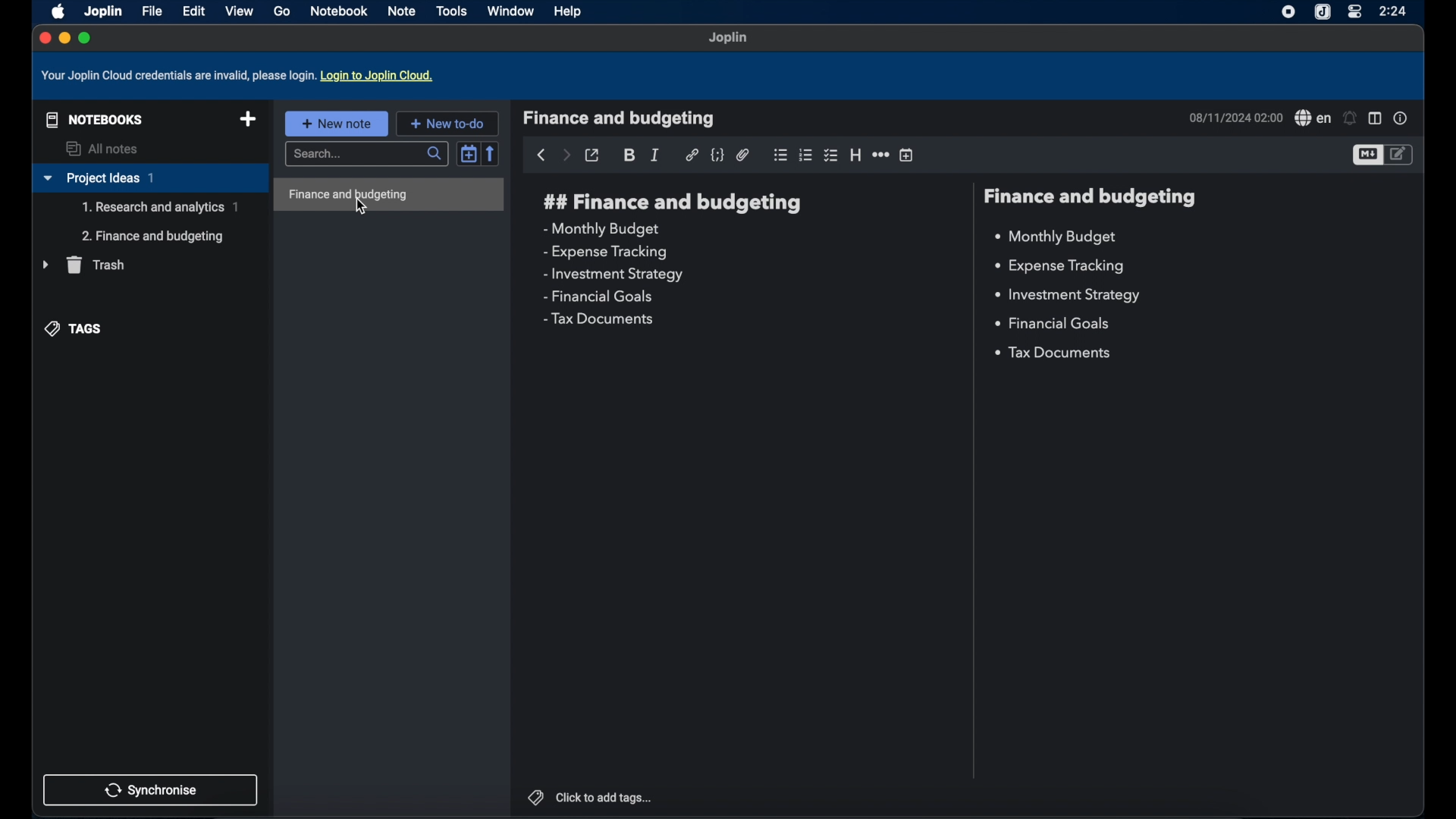 This screenshot has height=819, width=1456. I want to click on forward, so click(566, 156).